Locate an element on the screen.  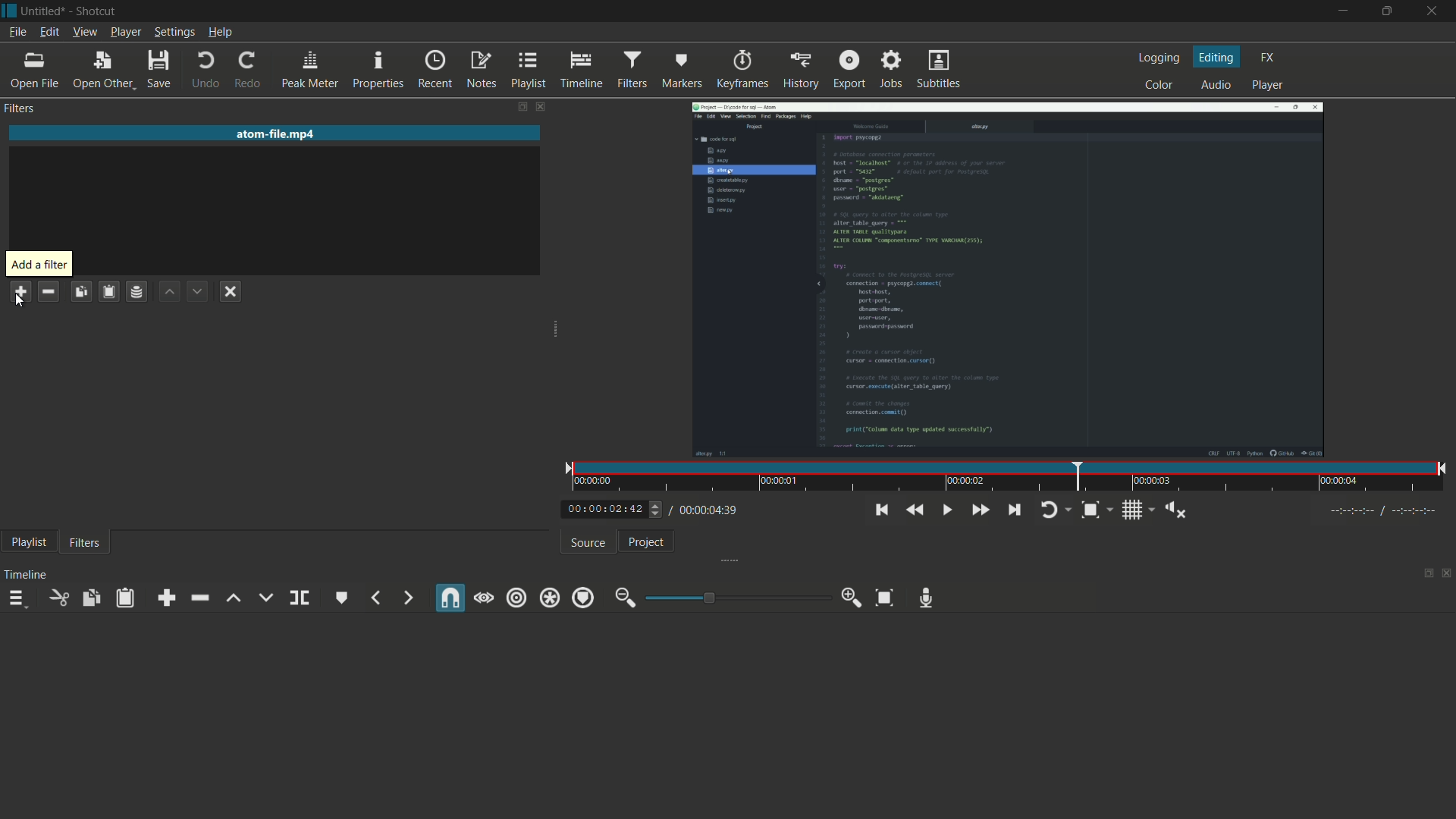
save filter set is located at coordinates (137, 293).